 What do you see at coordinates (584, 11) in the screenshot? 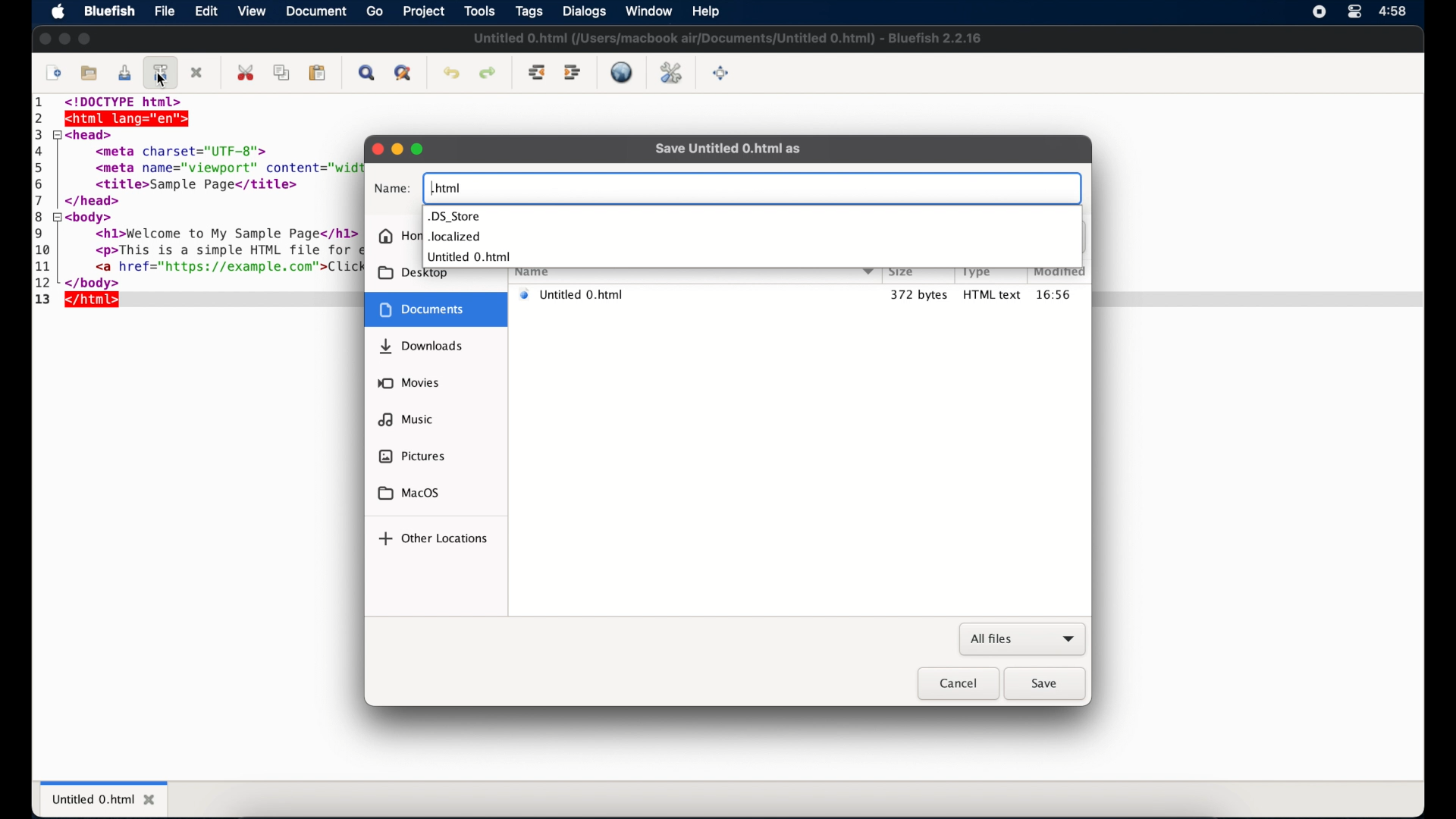
I see `dialogs` at bounding box center [584, 11].